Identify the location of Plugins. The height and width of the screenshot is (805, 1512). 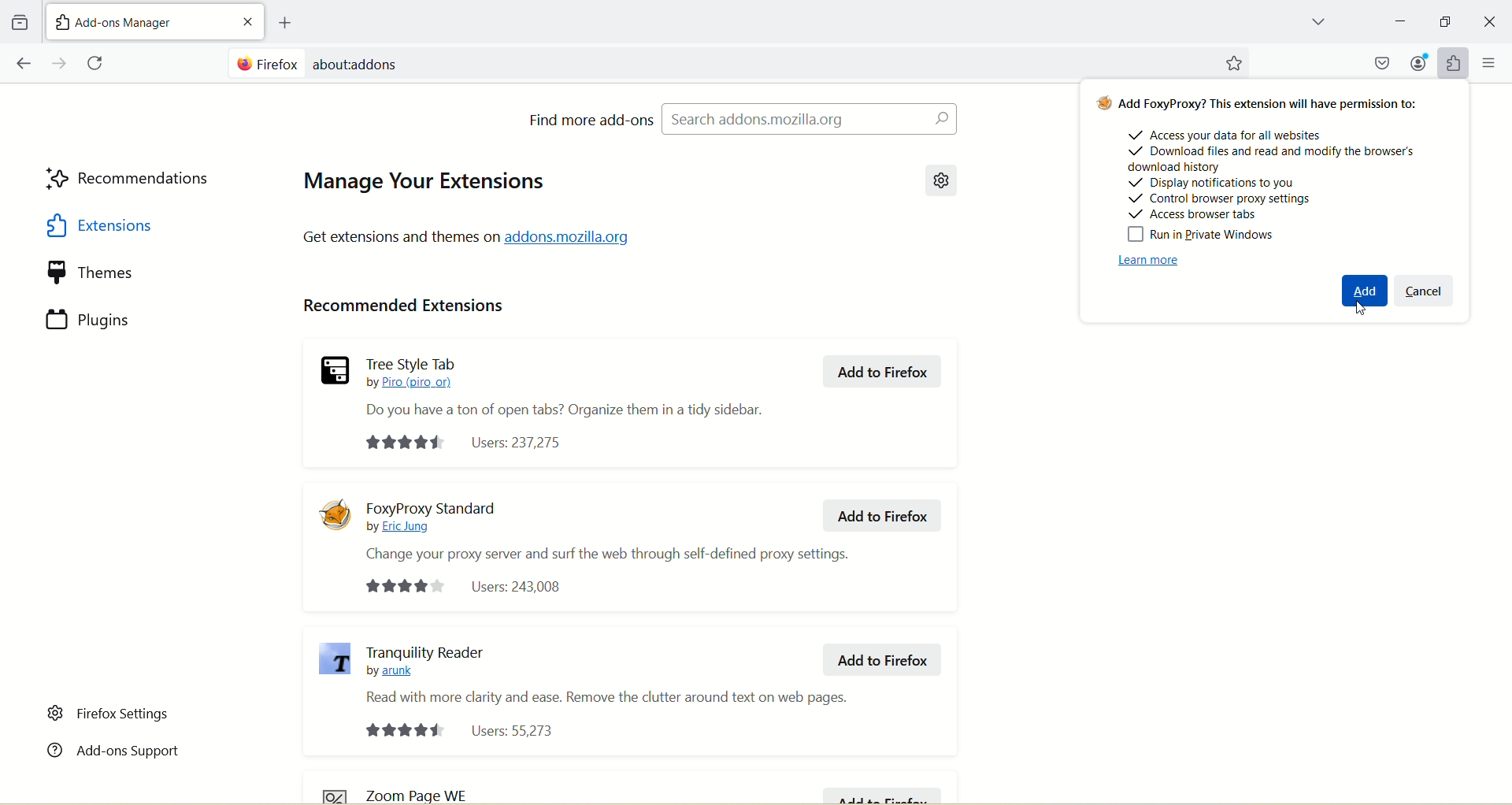
(133, 319).